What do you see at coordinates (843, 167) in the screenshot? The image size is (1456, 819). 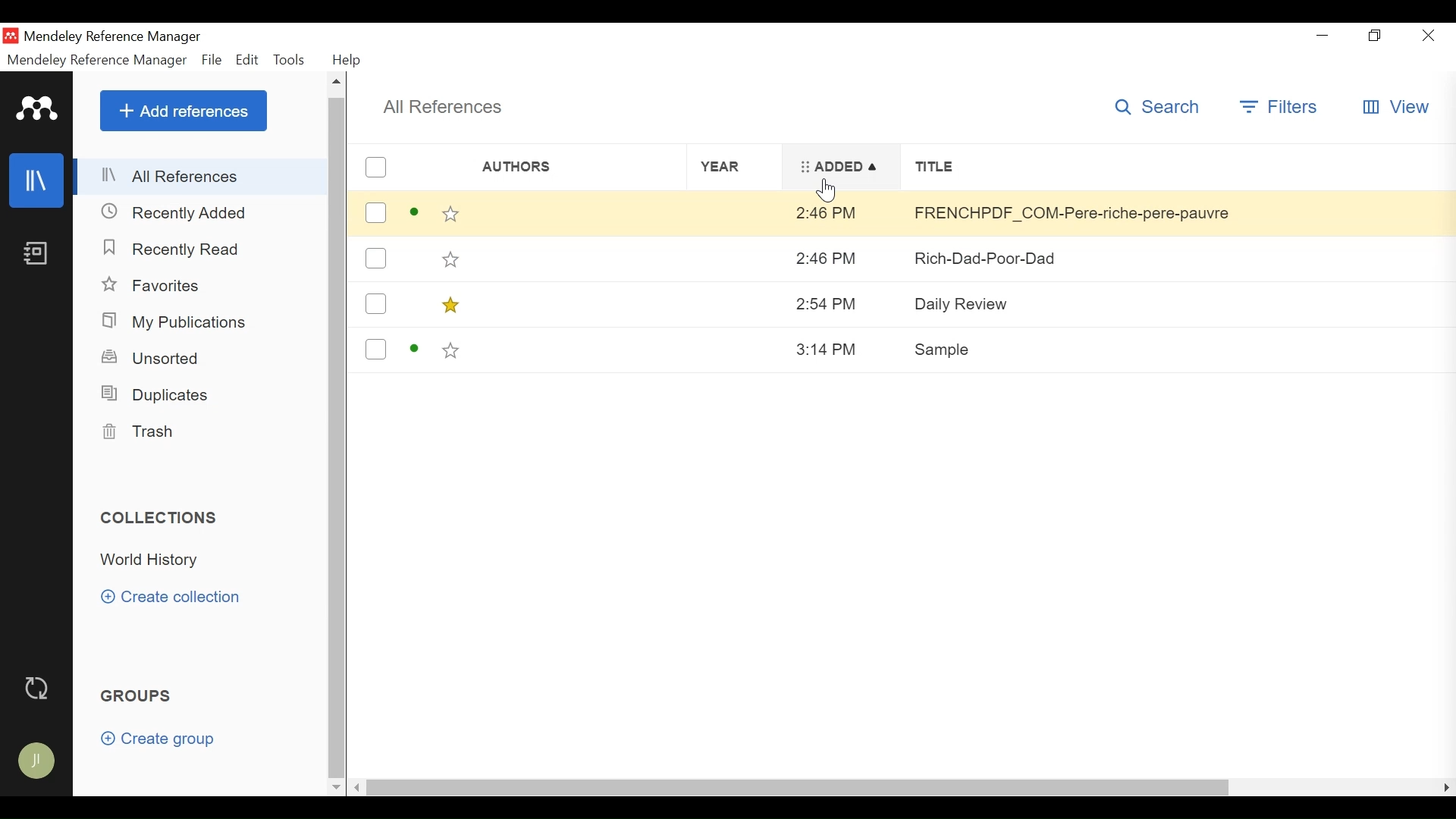 I see `Added` at bounding box center [843, 167].